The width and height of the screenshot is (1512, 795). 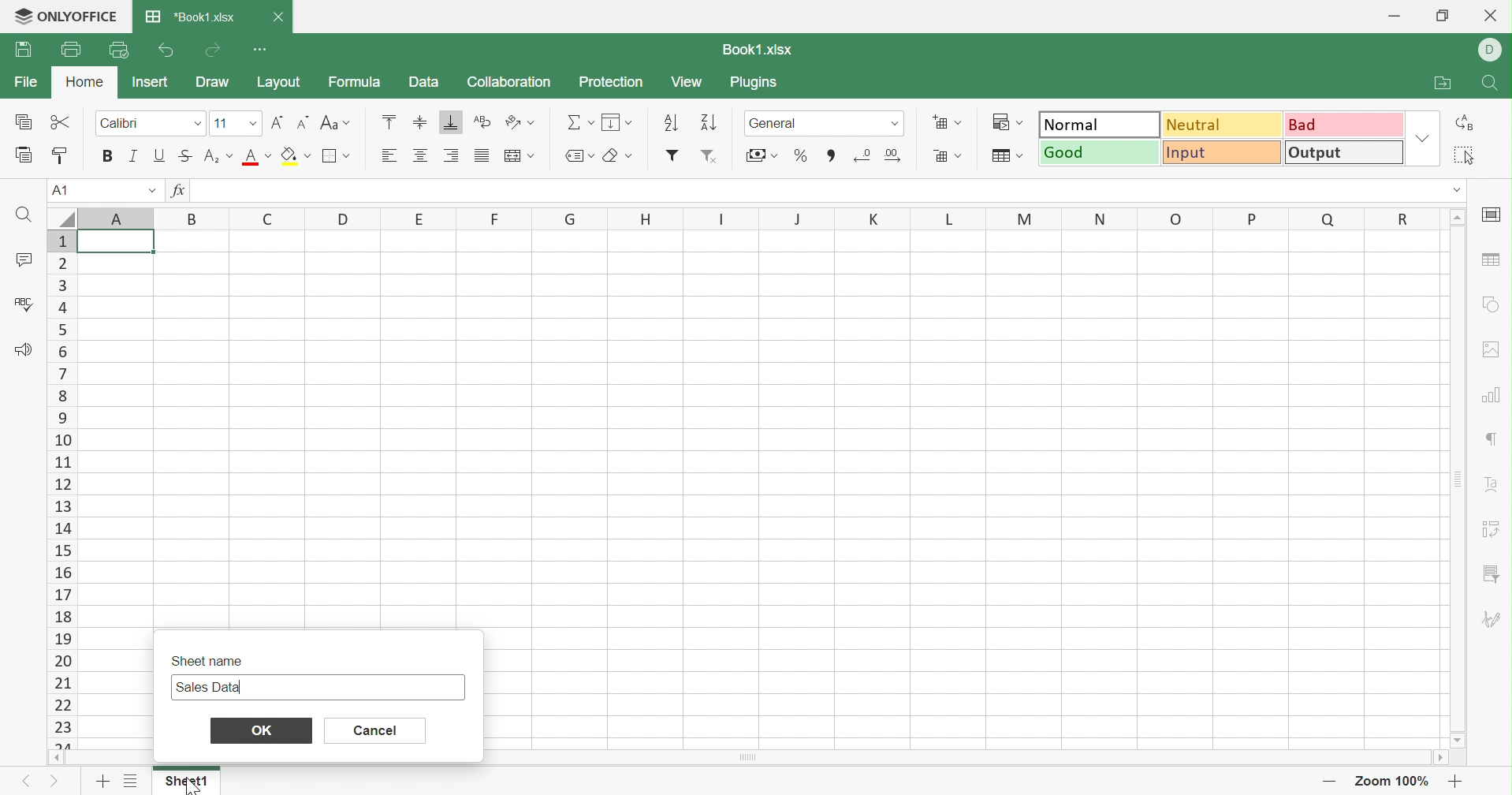 I want to click on Drop Down, so click(x=1423, y=140).